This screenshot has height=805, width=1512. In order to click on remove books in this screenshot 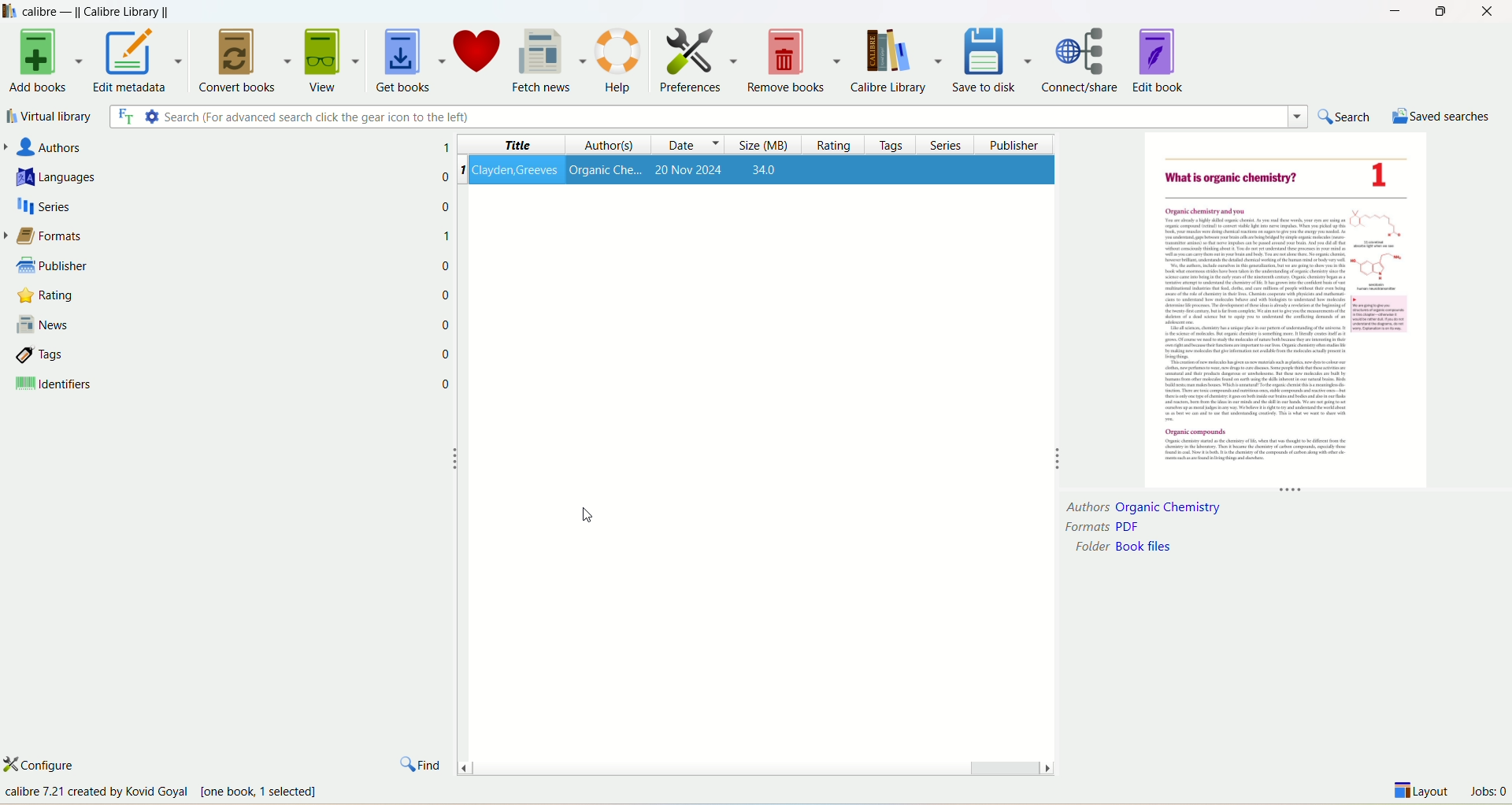, I will do `click(796, 61)`.